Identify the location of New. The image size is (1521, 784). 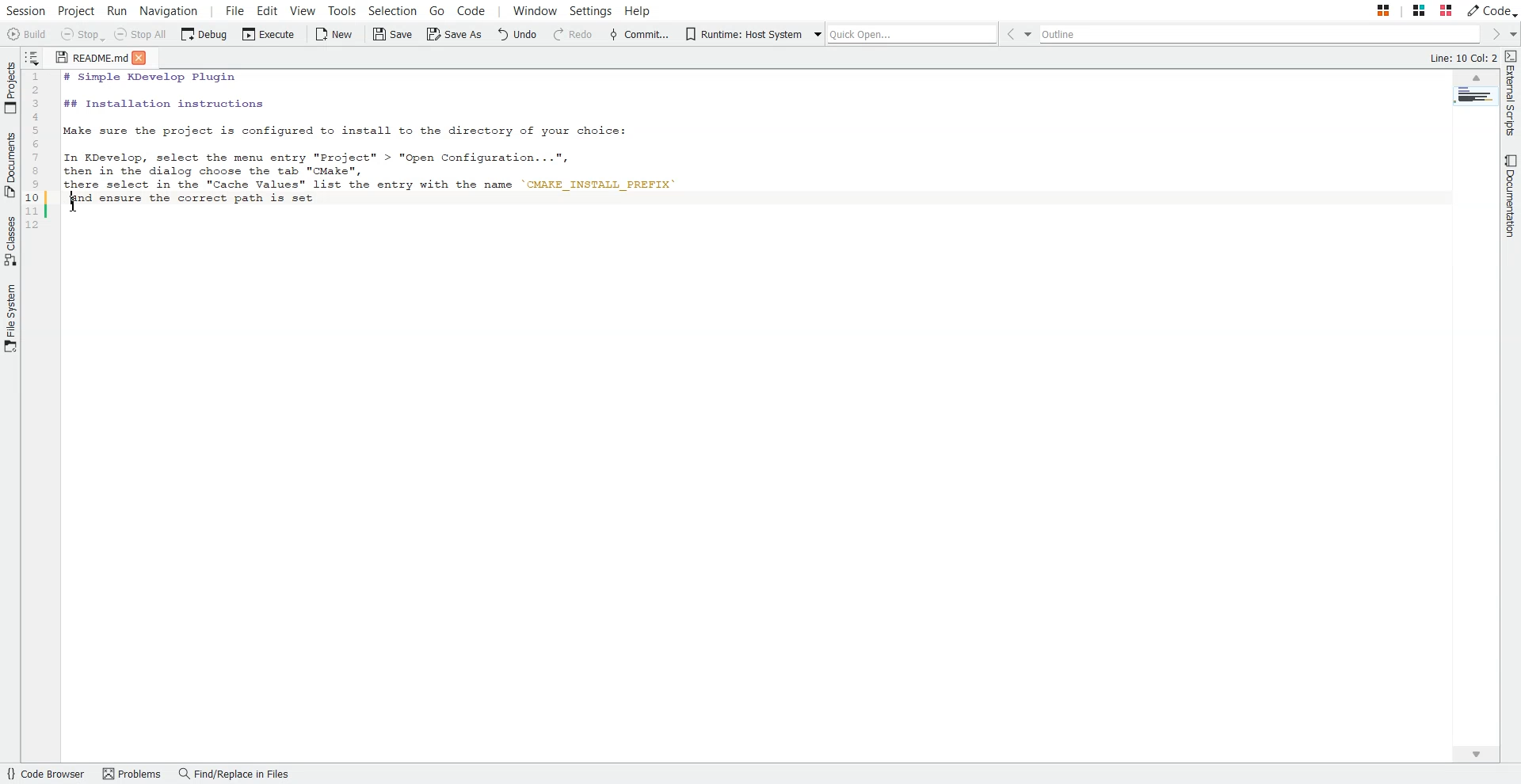
(336, 35).